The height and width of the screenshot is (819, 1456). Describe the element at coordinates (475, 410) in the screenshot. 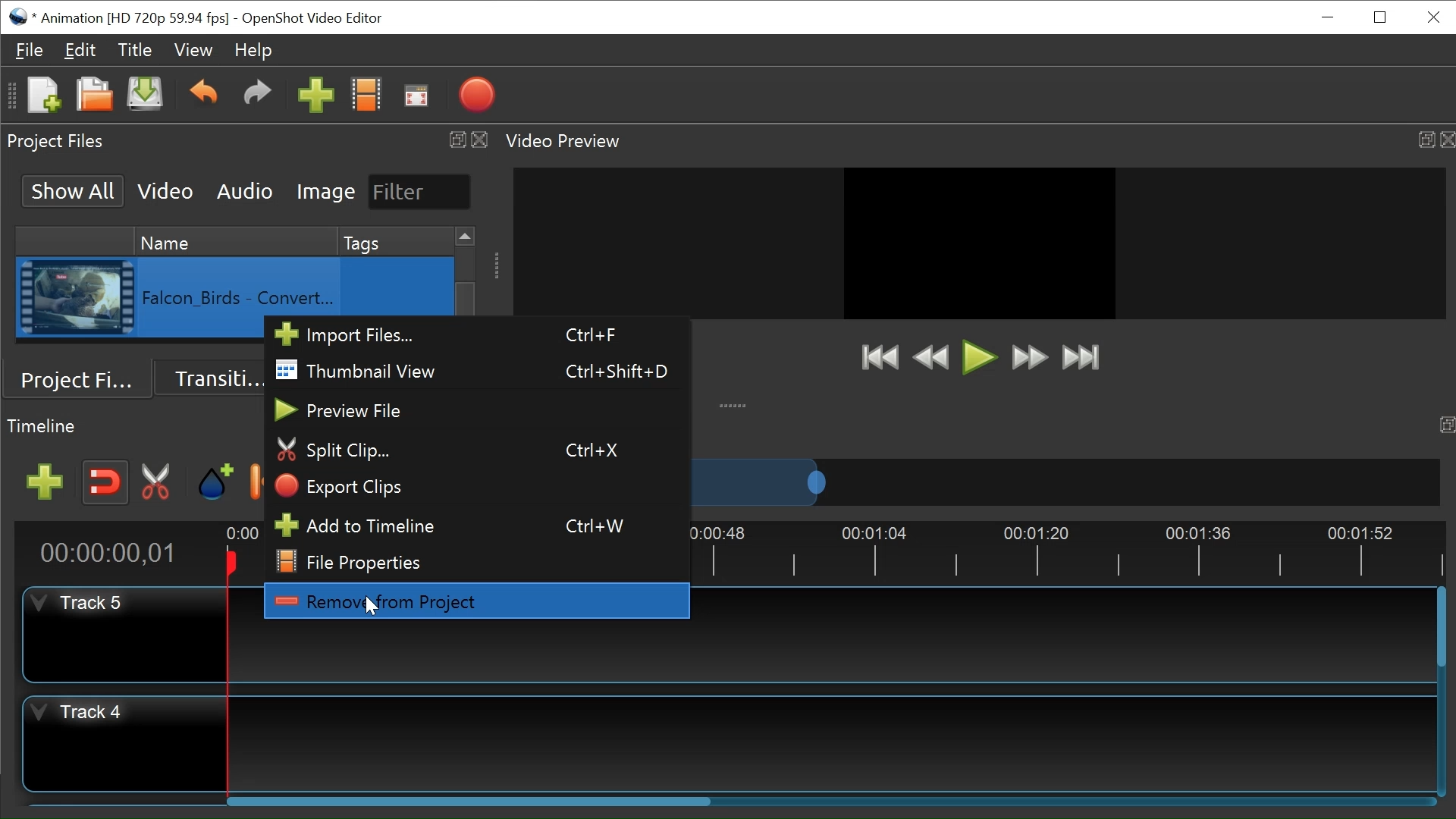

I see `Preview File` at that location.